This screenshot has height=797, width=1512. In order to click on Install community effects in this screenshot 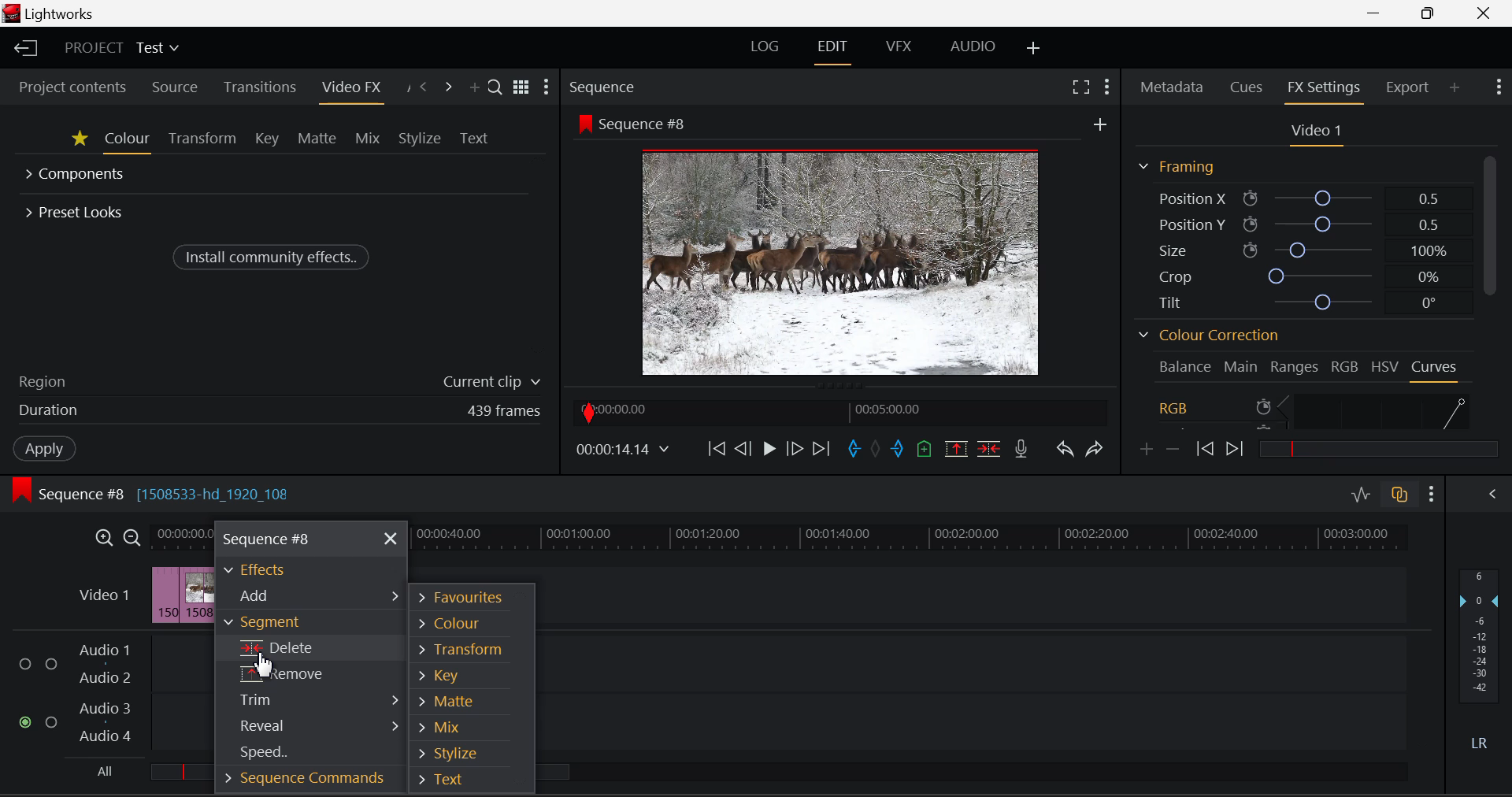, I will do `click(273, 256)`.